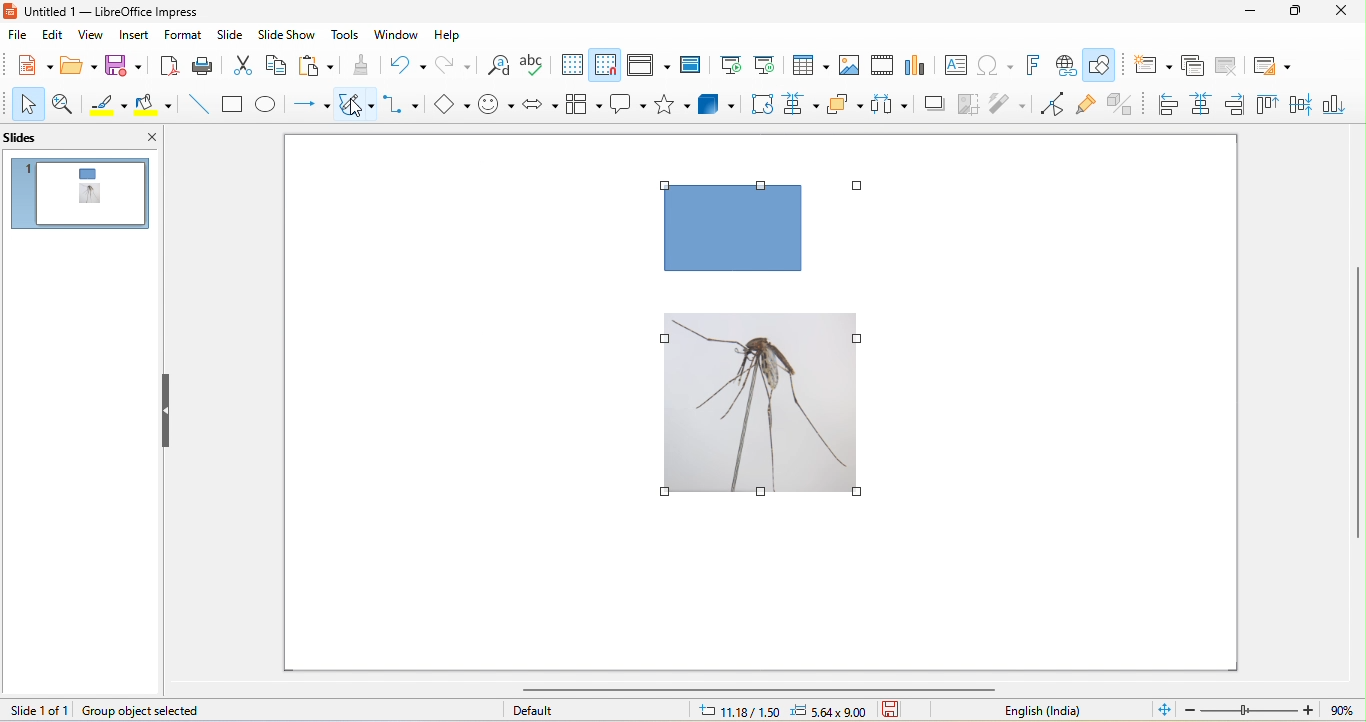  Describe the element at coordinates (171, 409) in the screenshot. I see `hide` at that location.